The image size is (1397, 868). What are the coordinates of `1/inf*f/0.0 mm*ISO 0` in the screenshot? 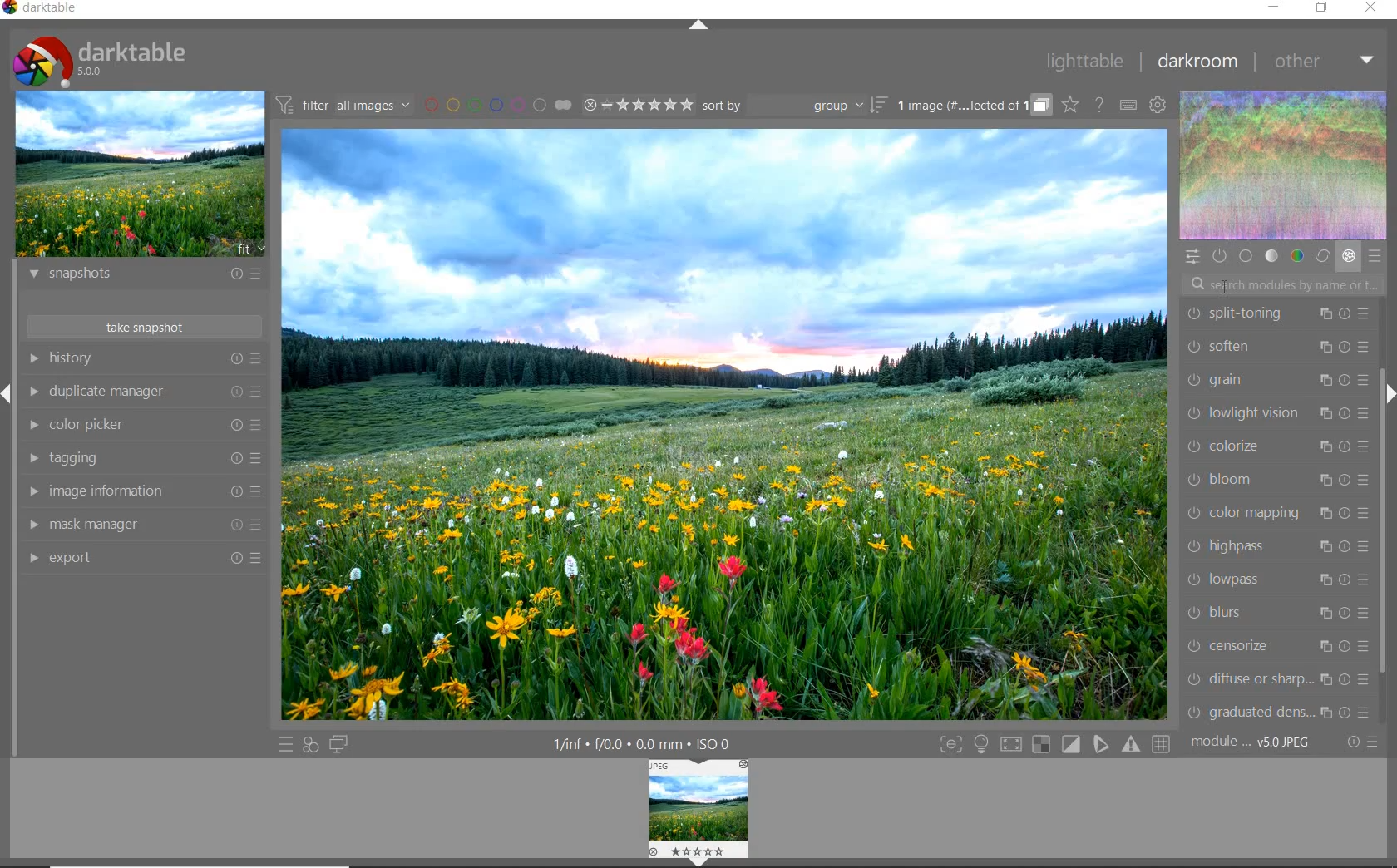 It's located at (640, 742).